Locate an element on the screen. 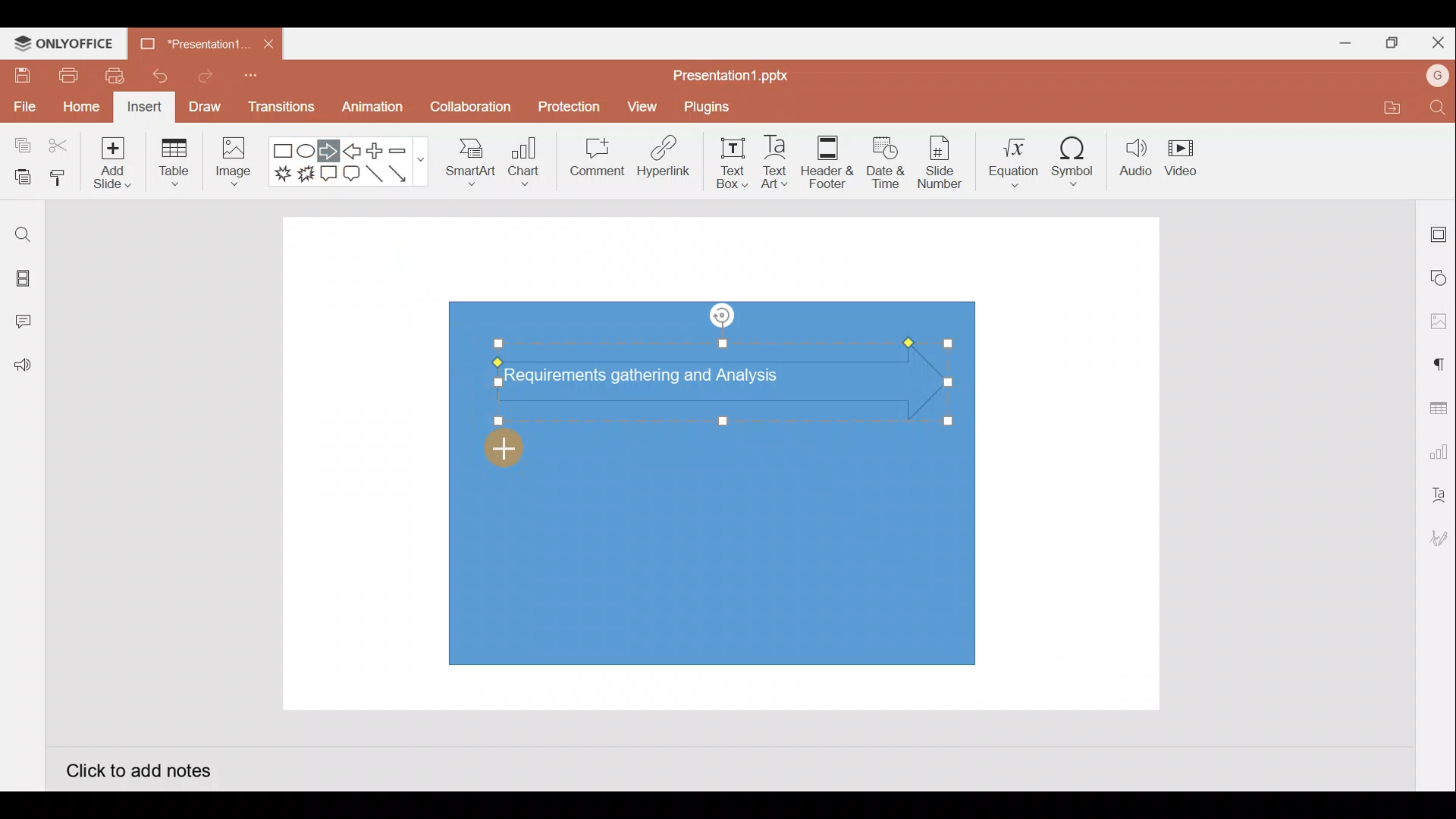 The image size is (1456, 819). Arrow is located at coordinates (406, 174).